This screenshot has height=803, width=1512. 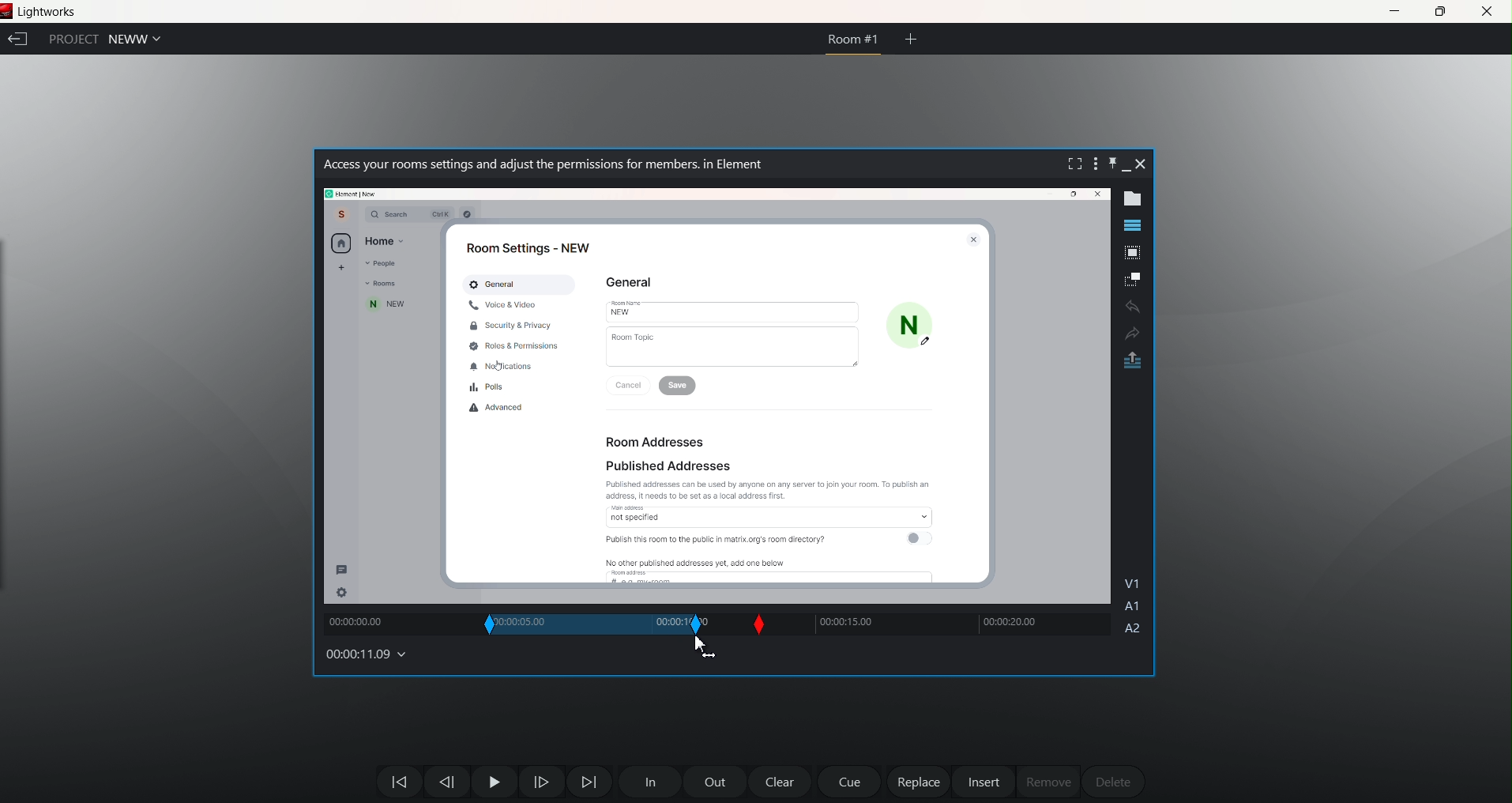 I want to click on close, so click(x=1488, y=10).